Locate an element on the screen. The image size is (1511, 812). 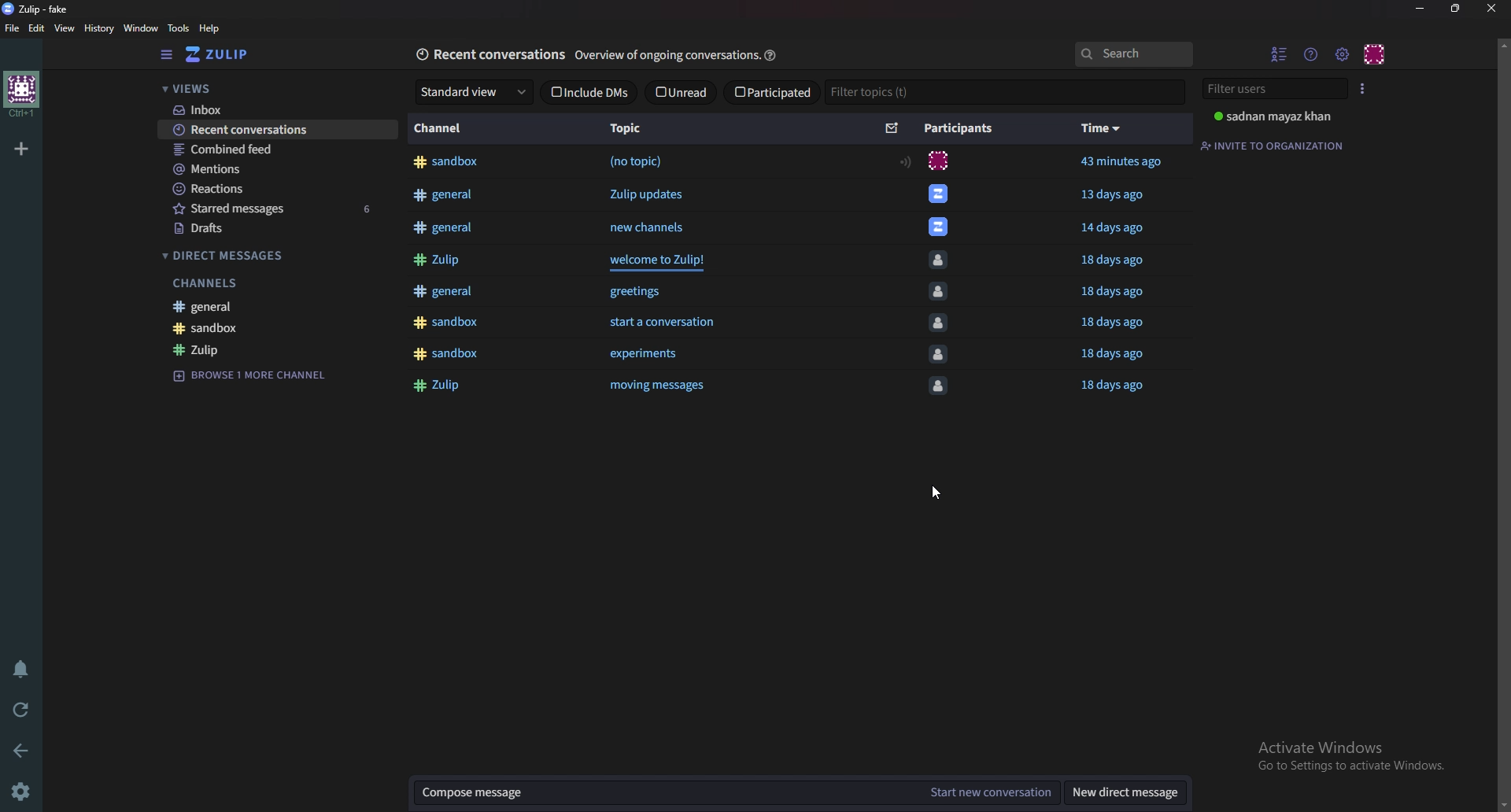
close is located at coordinates (1491, 8).